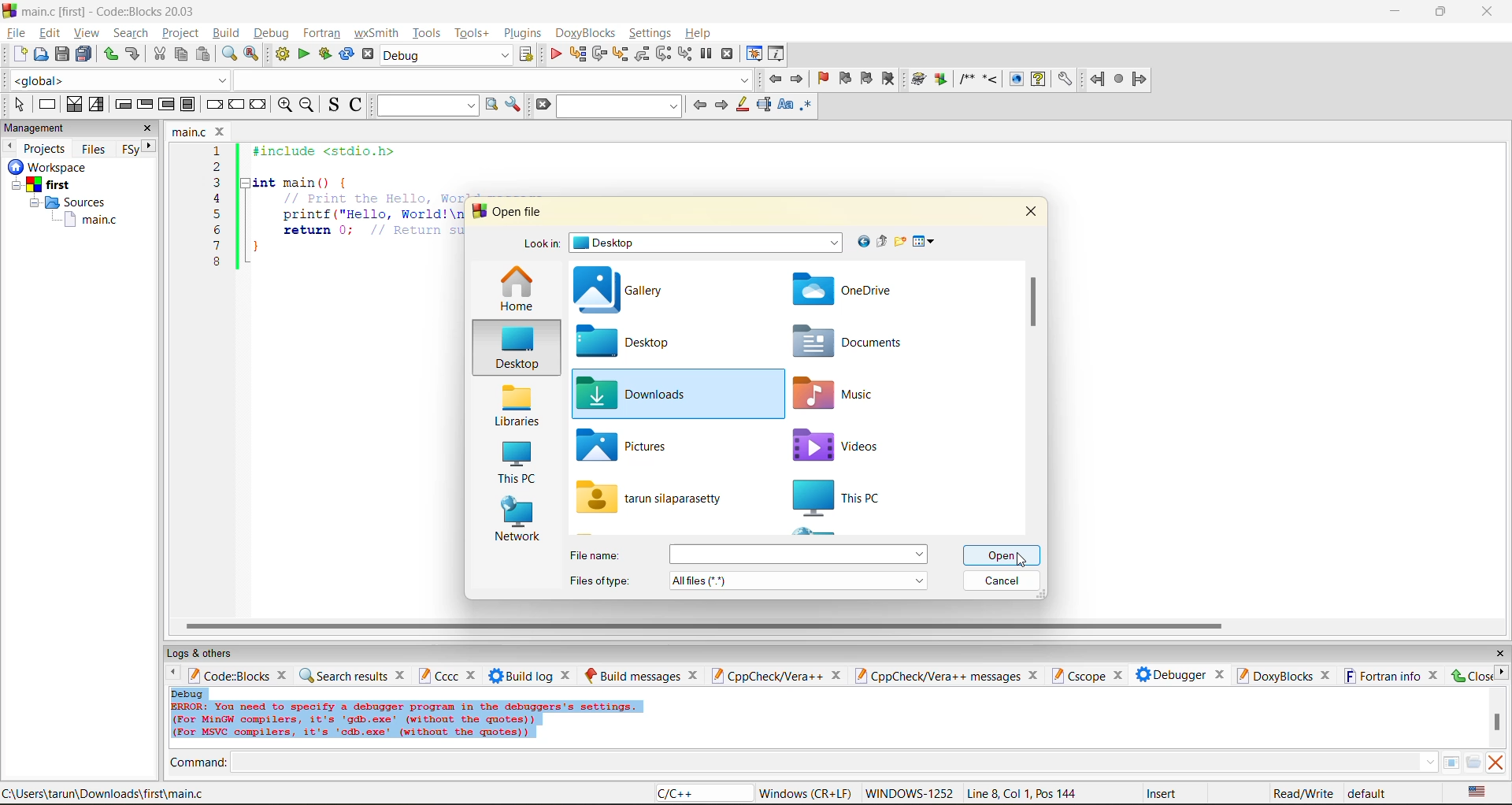  What do you see at coordinates (150, 146) in the screenshot?
I see `next` at bounding box center [150, 146].